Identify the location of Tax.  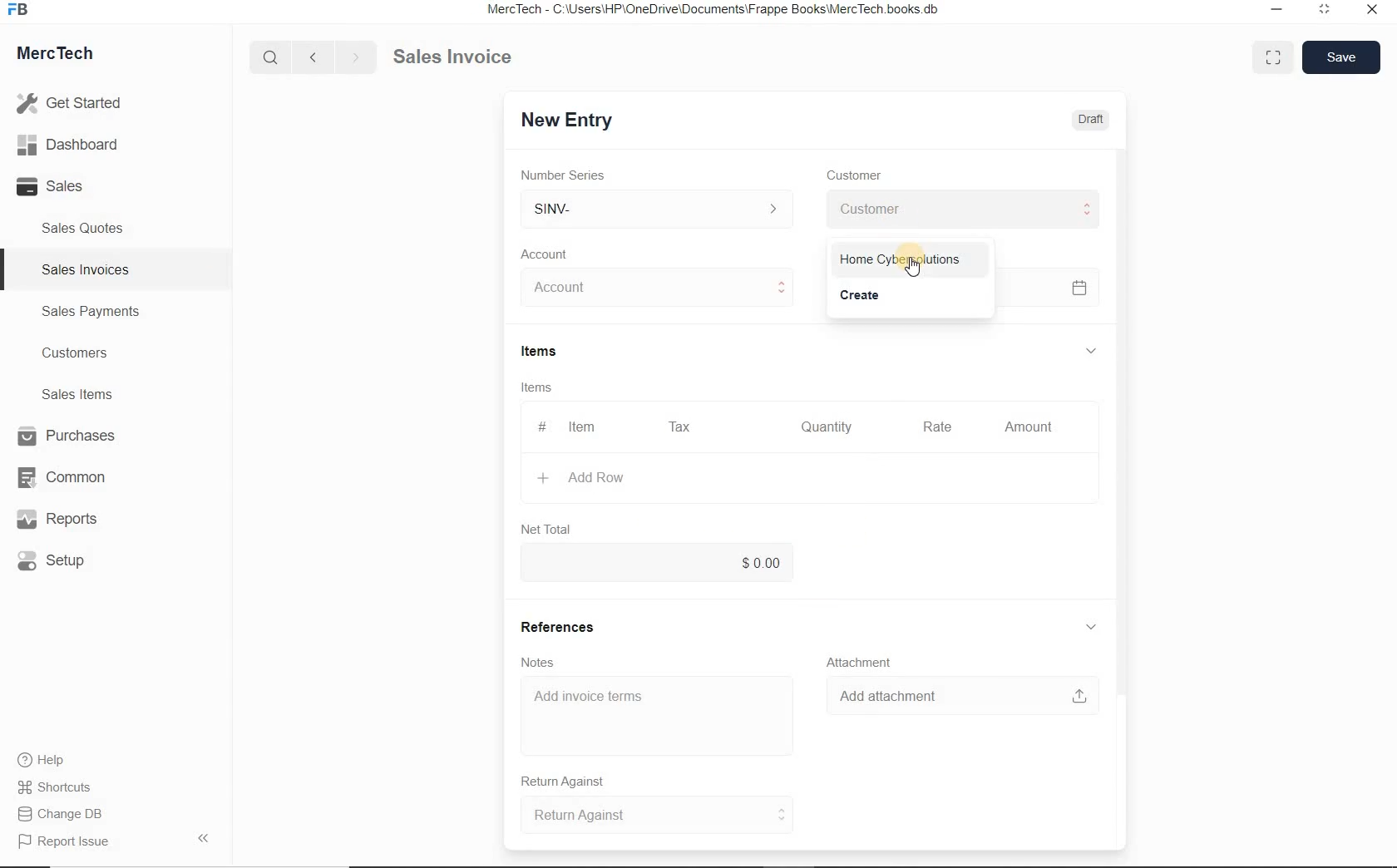
(680, 426).